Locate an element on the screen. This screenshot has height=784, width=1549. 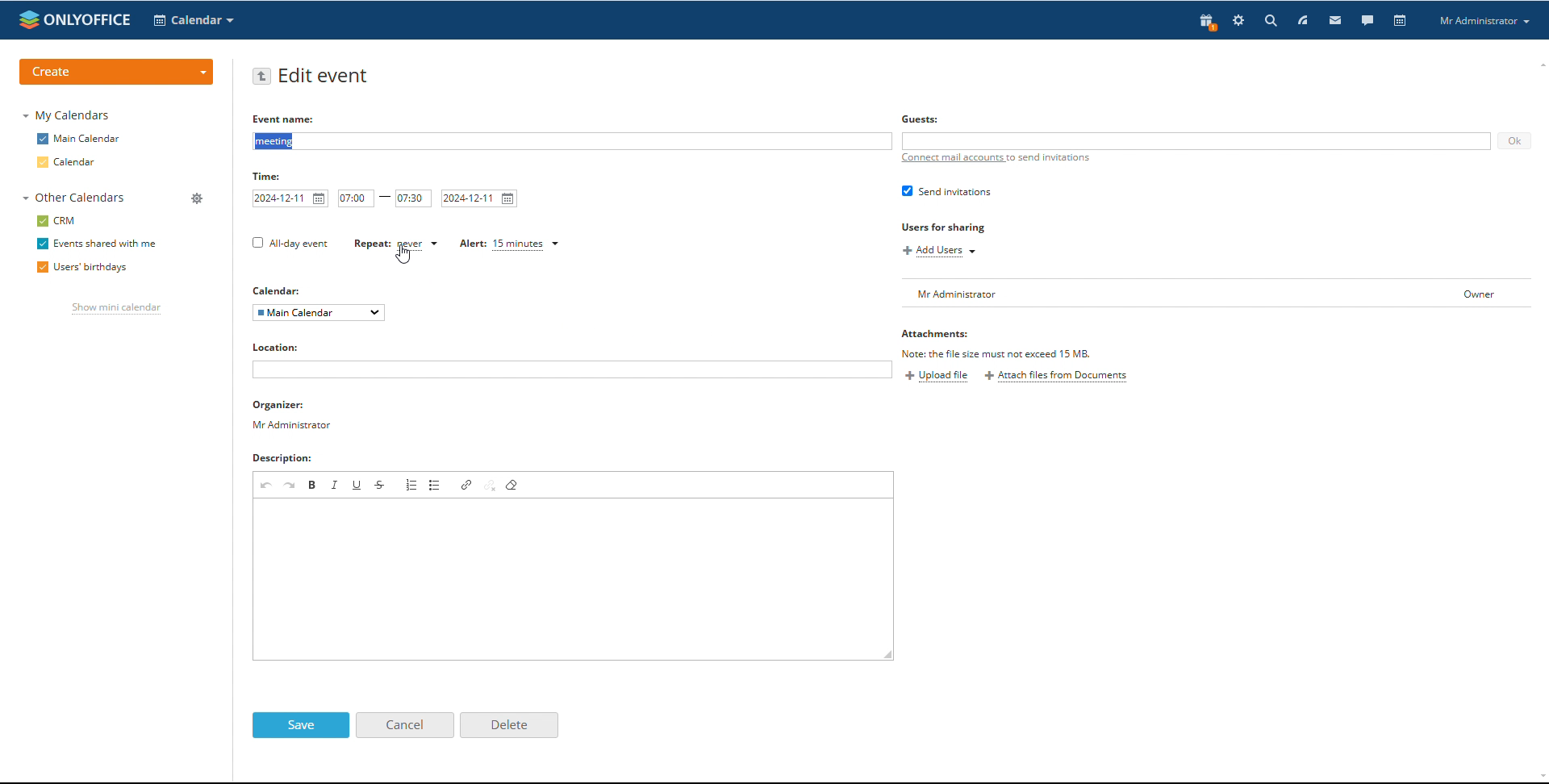
create is located at coordinates (118, 72).